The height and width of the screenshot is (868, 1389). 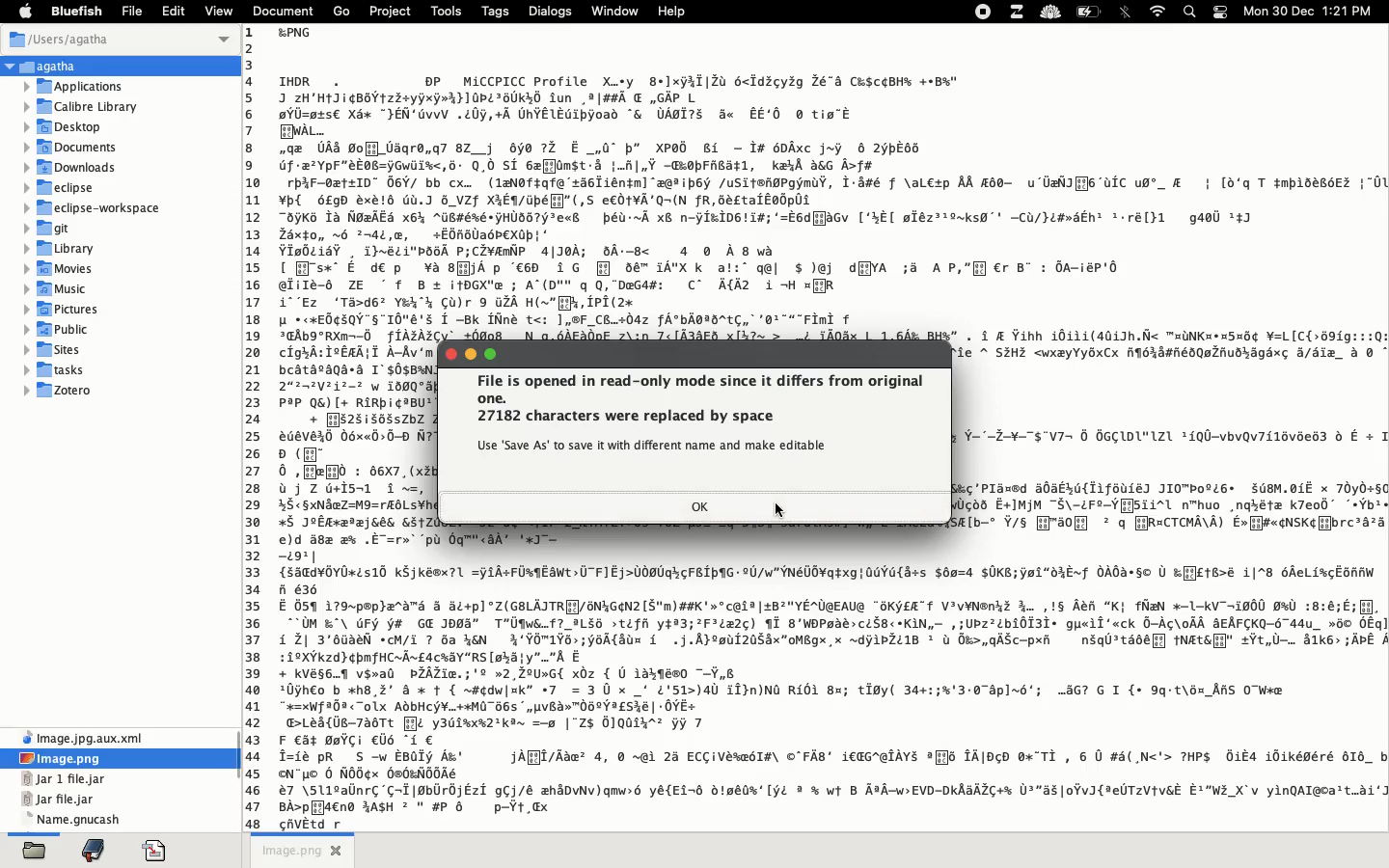 What do you see at coordinates (52, 371) in the screenshot?
I see `tasks` at bounding box center [52, 371].